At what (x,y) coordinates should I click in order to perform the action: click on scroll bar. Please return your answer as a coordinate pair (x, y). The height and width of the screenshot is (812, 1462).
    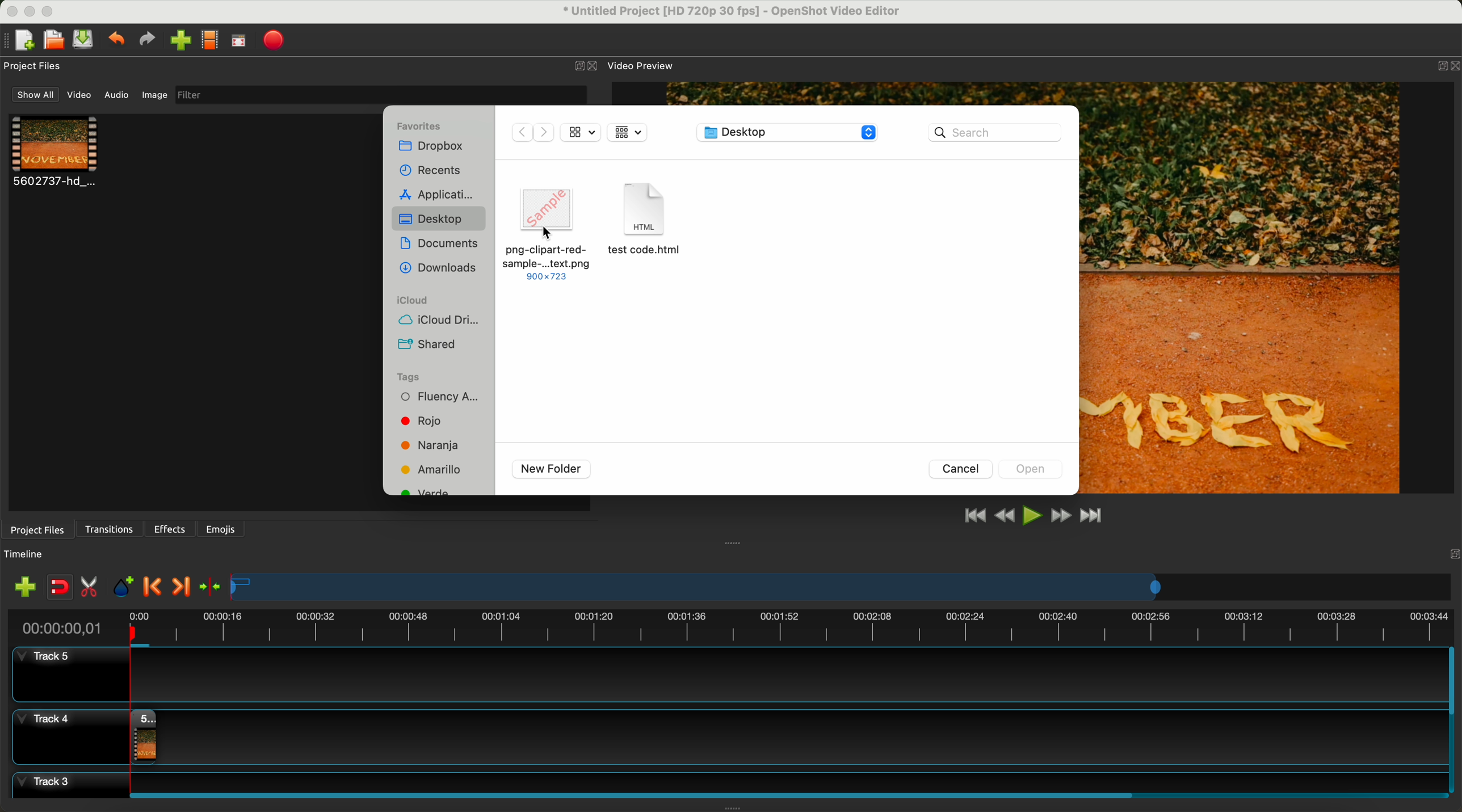
    Looking at the image, I should click on (785, 793).